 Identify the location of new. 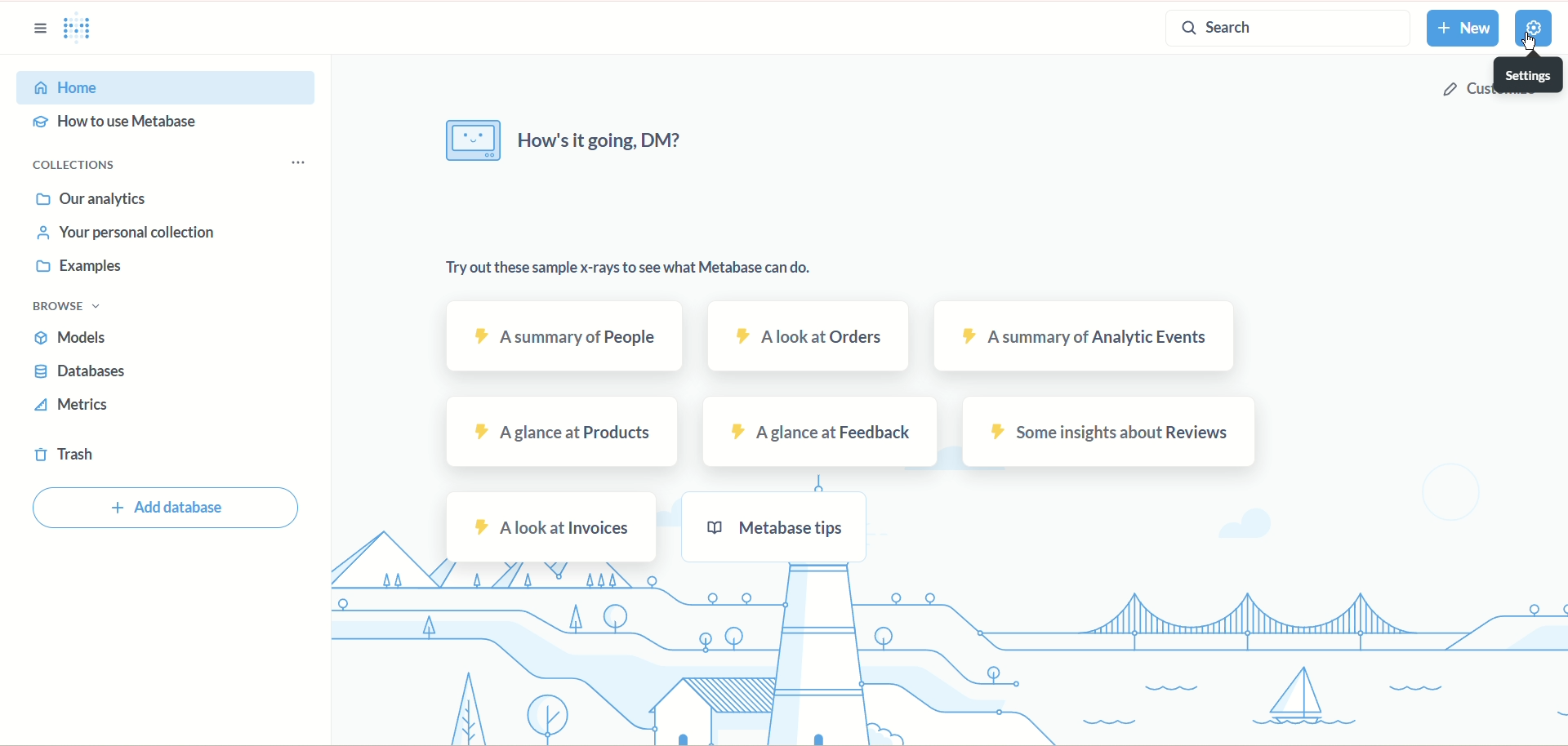
(1463, 27).